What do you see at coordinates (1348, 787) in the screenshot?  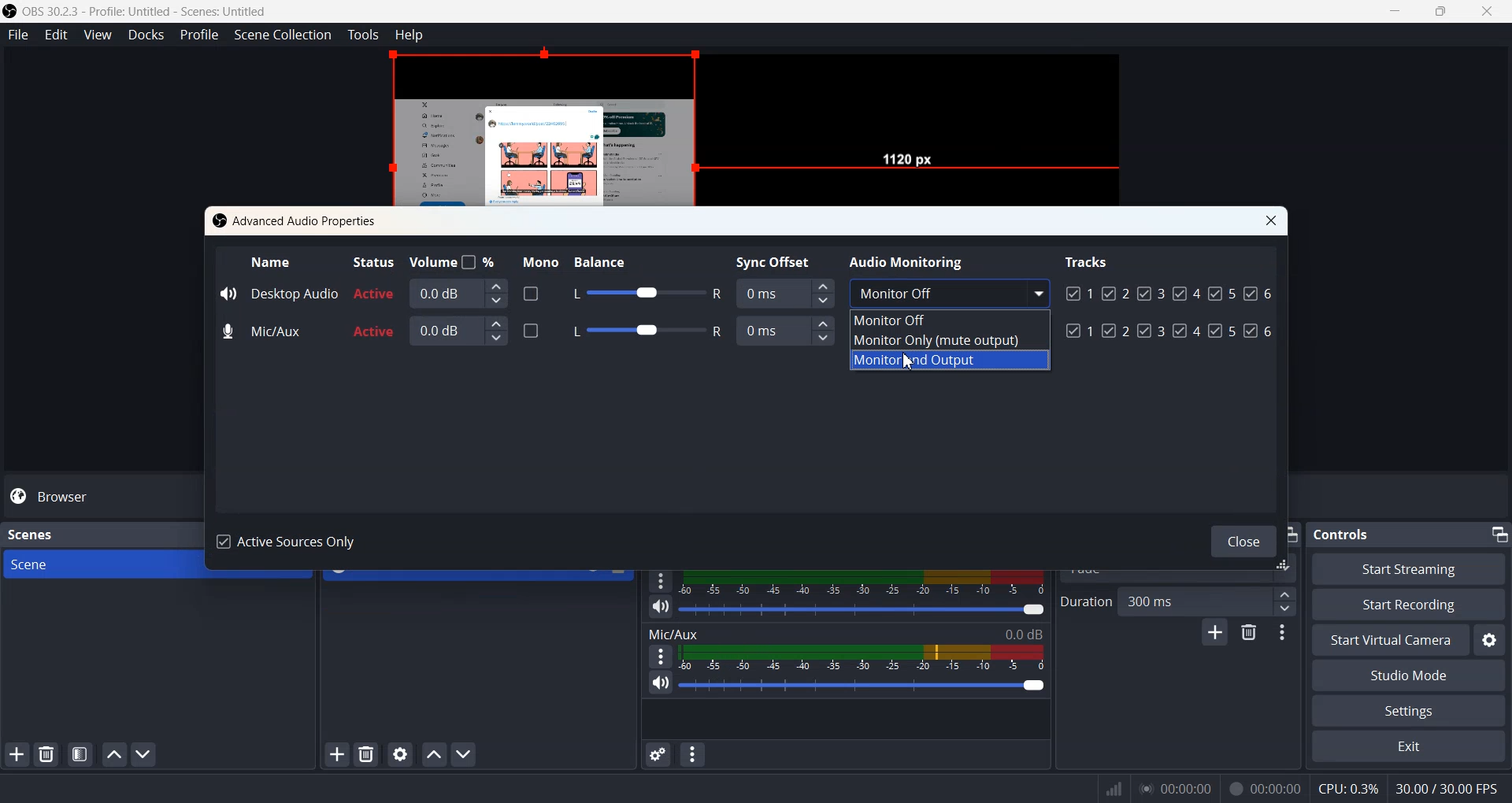 I see `CPU:0.3%` at bounding box center [1348, 787].